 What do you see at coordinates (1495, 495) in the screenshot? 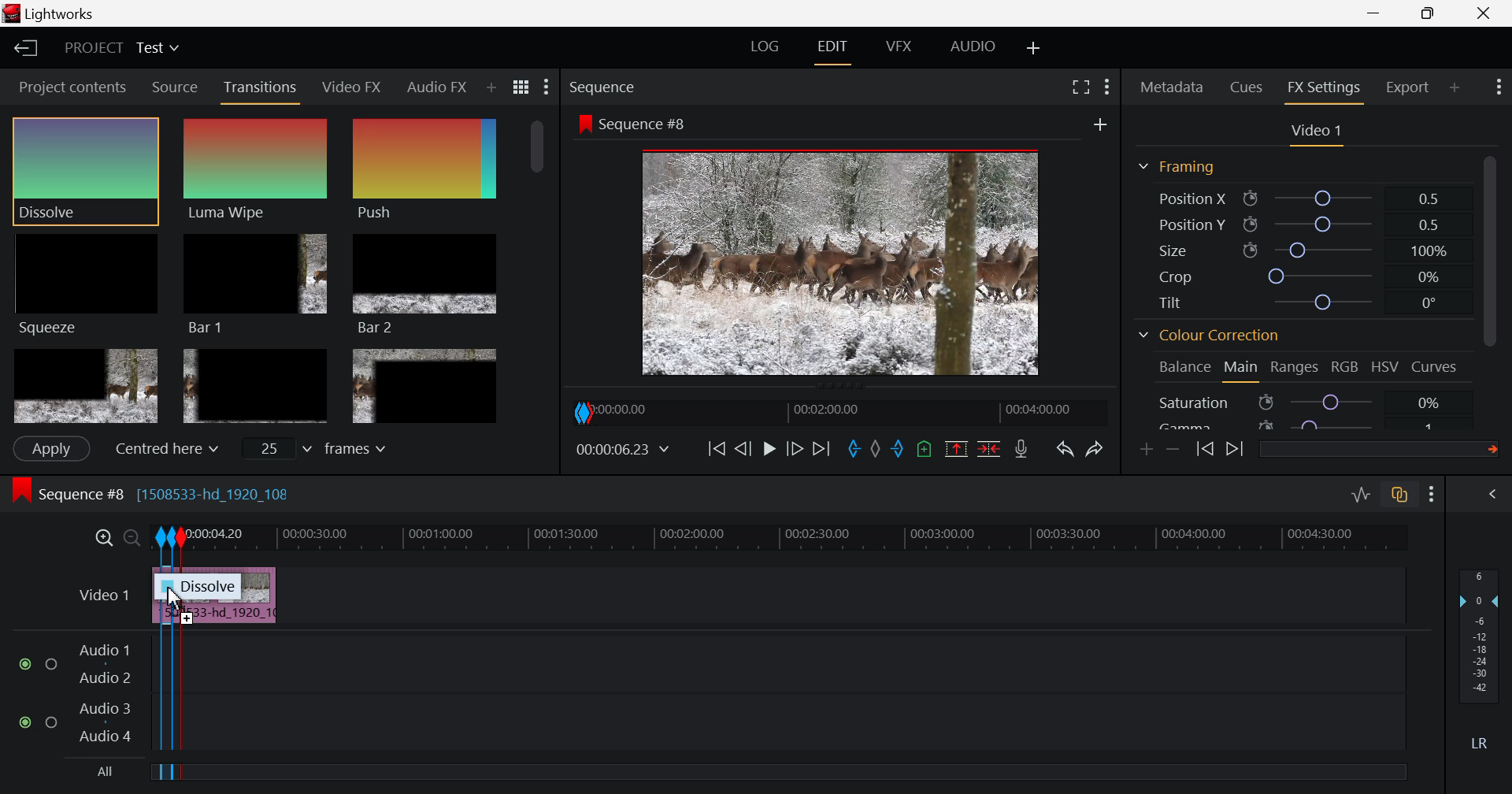
I see `View Audio Mix` at bounding box center [1495, 495].